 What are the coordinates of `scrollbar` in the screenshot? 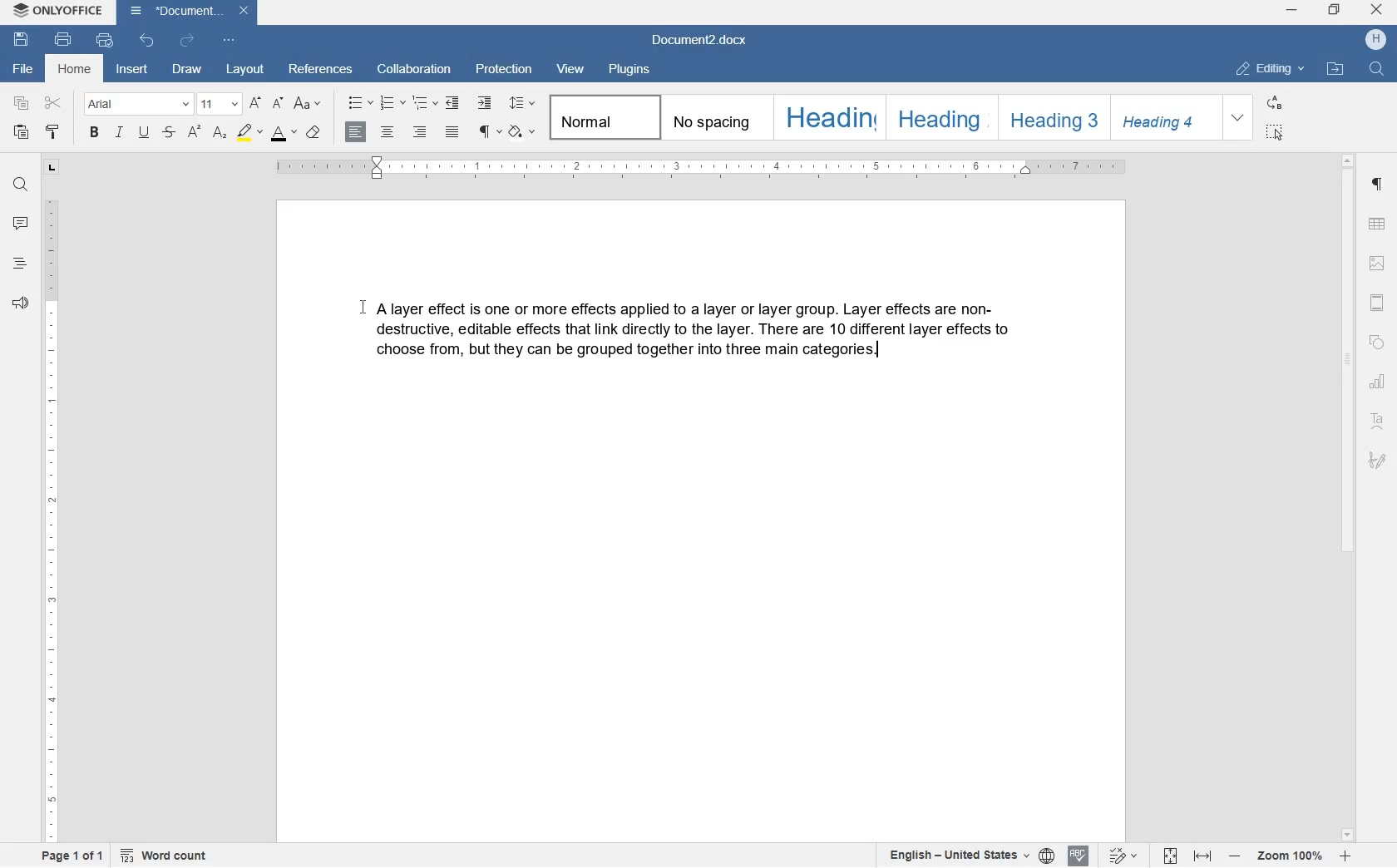 It's located at (1350, 496).